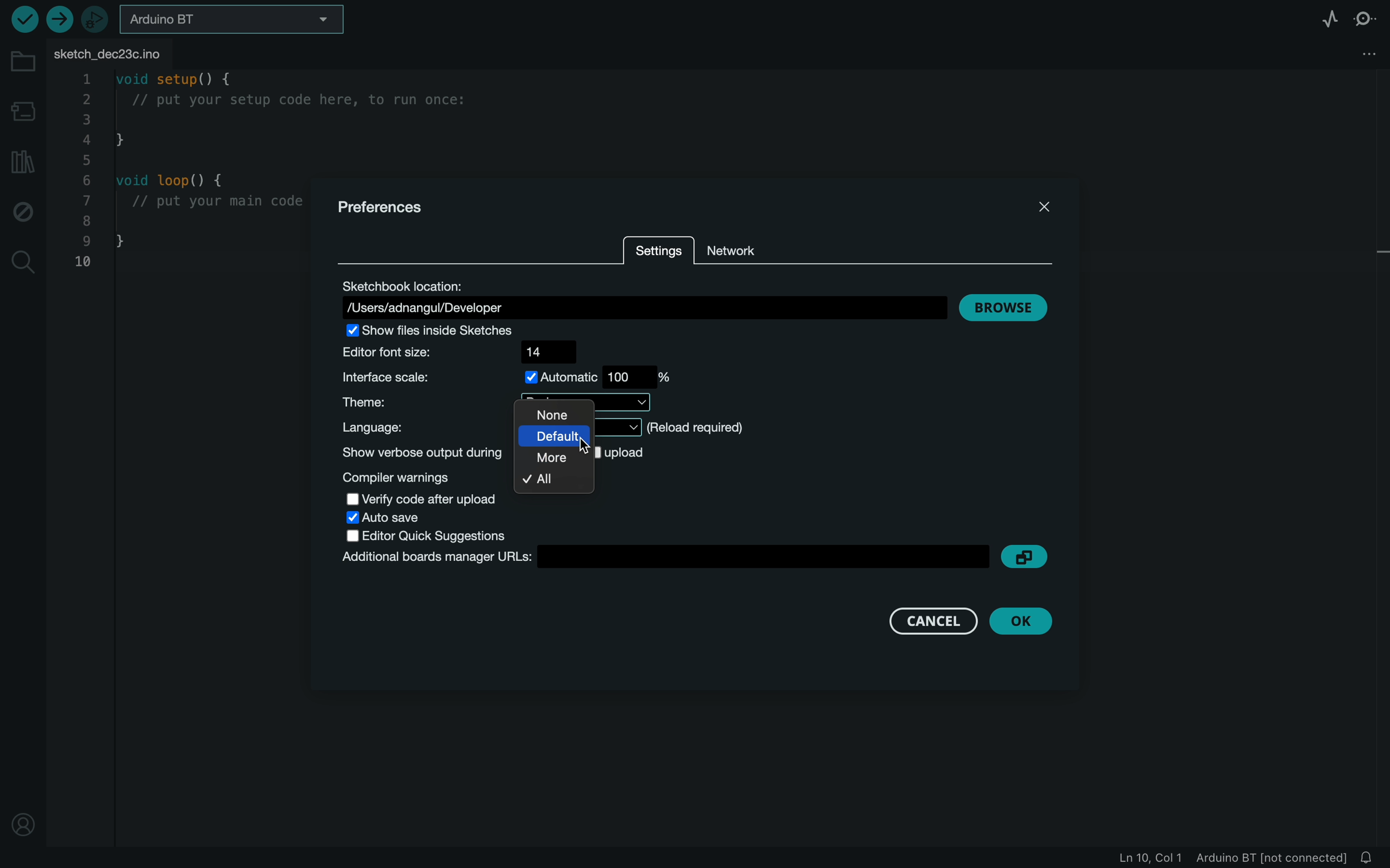  I want to click on file information, so click(1232, 858).